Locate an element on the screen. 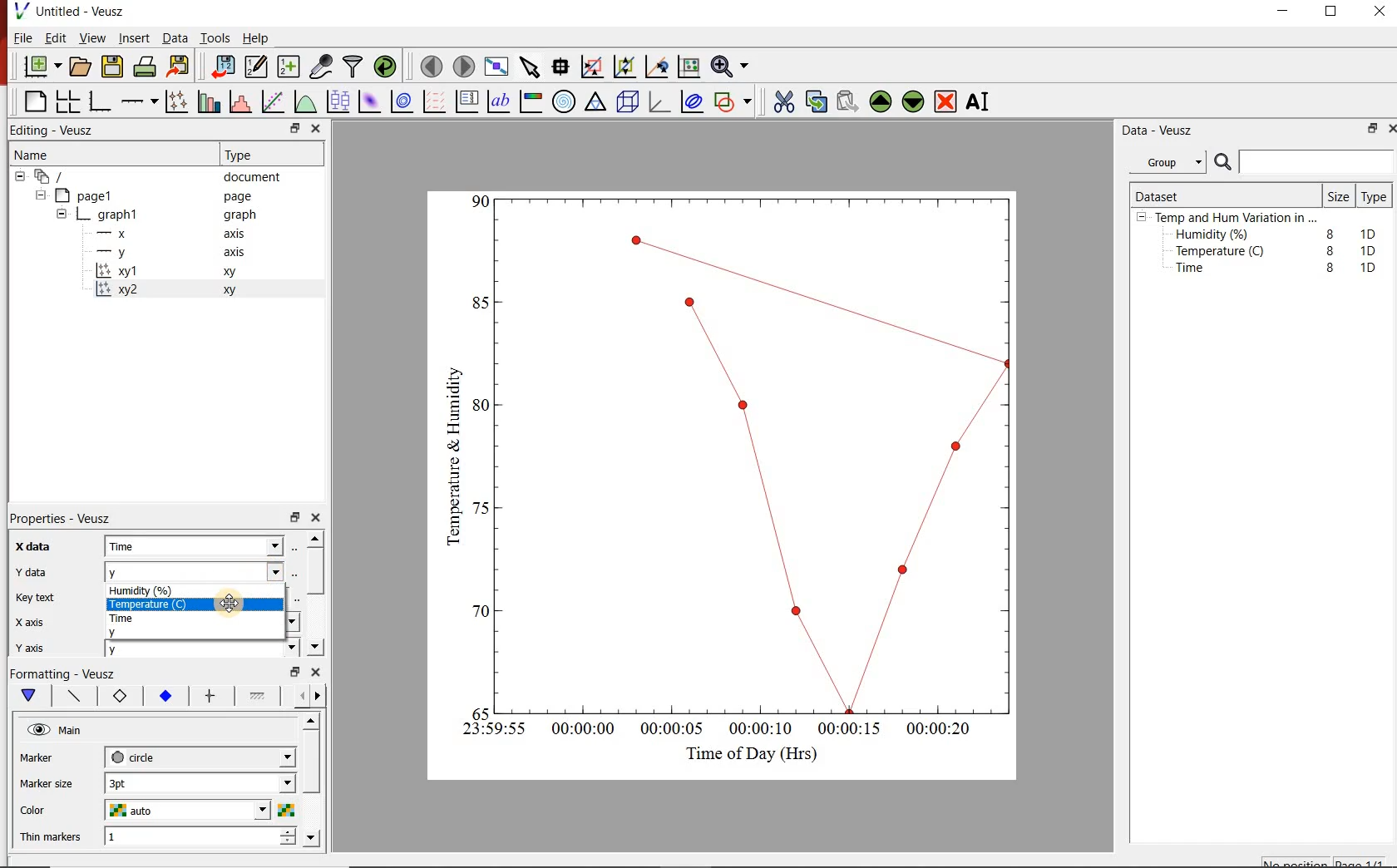 This screenshot has height=868, width=1397. 1D is located at coordinates (1372, 232).